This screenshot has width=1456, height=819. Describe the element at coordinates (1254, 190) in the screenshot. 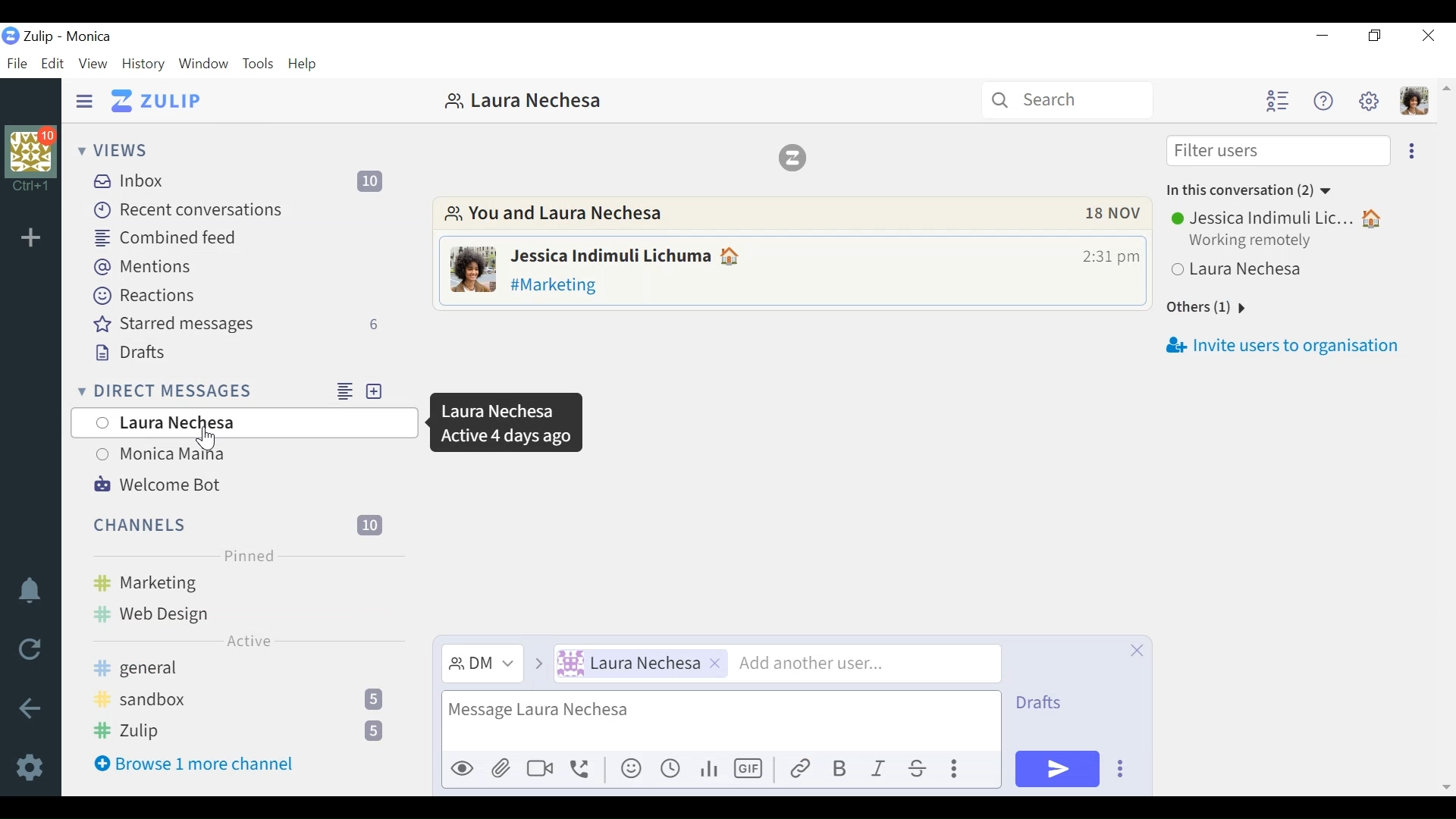

I see `in this conversation` at that location.